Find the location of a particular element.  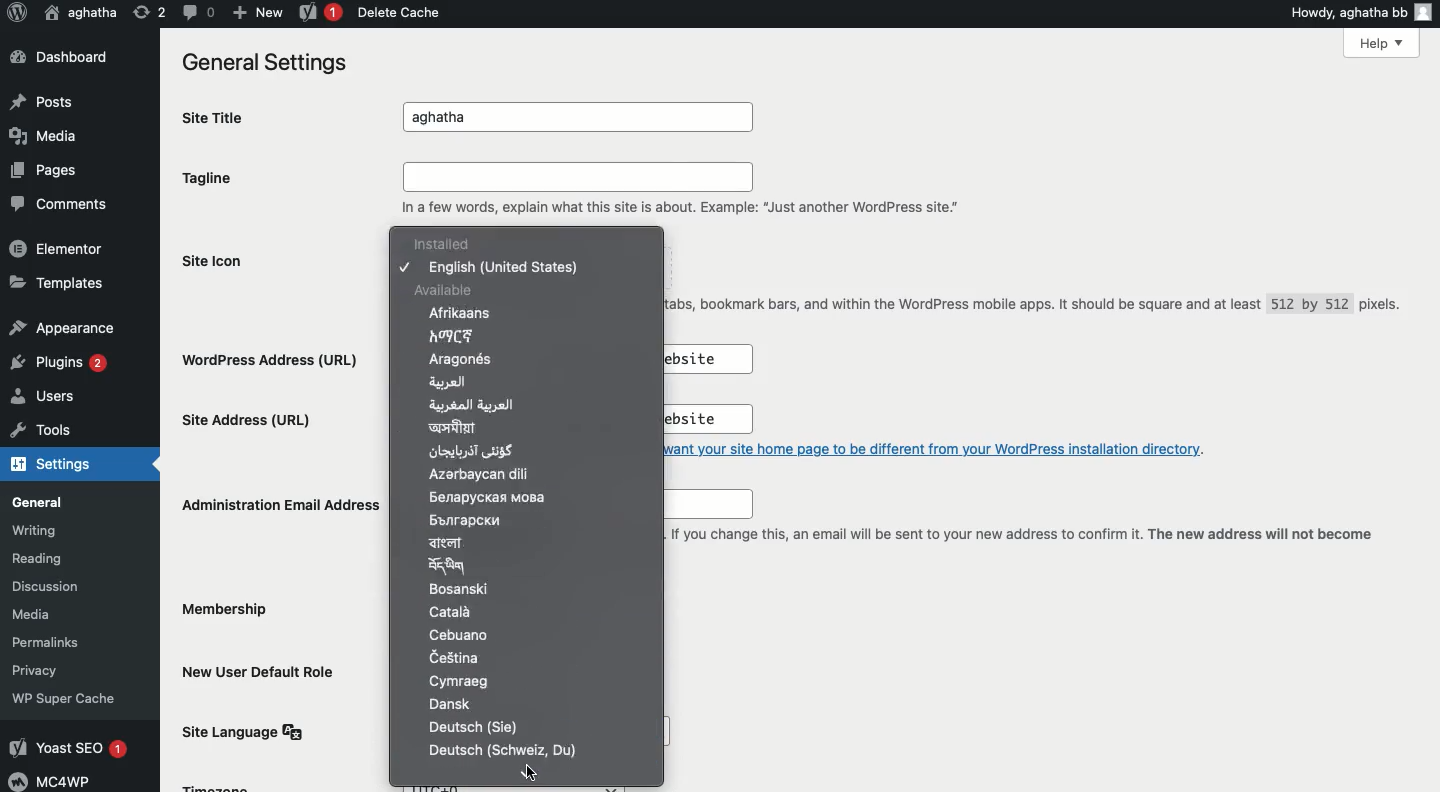

WP Super Cache is located at coordinates (67, 698).